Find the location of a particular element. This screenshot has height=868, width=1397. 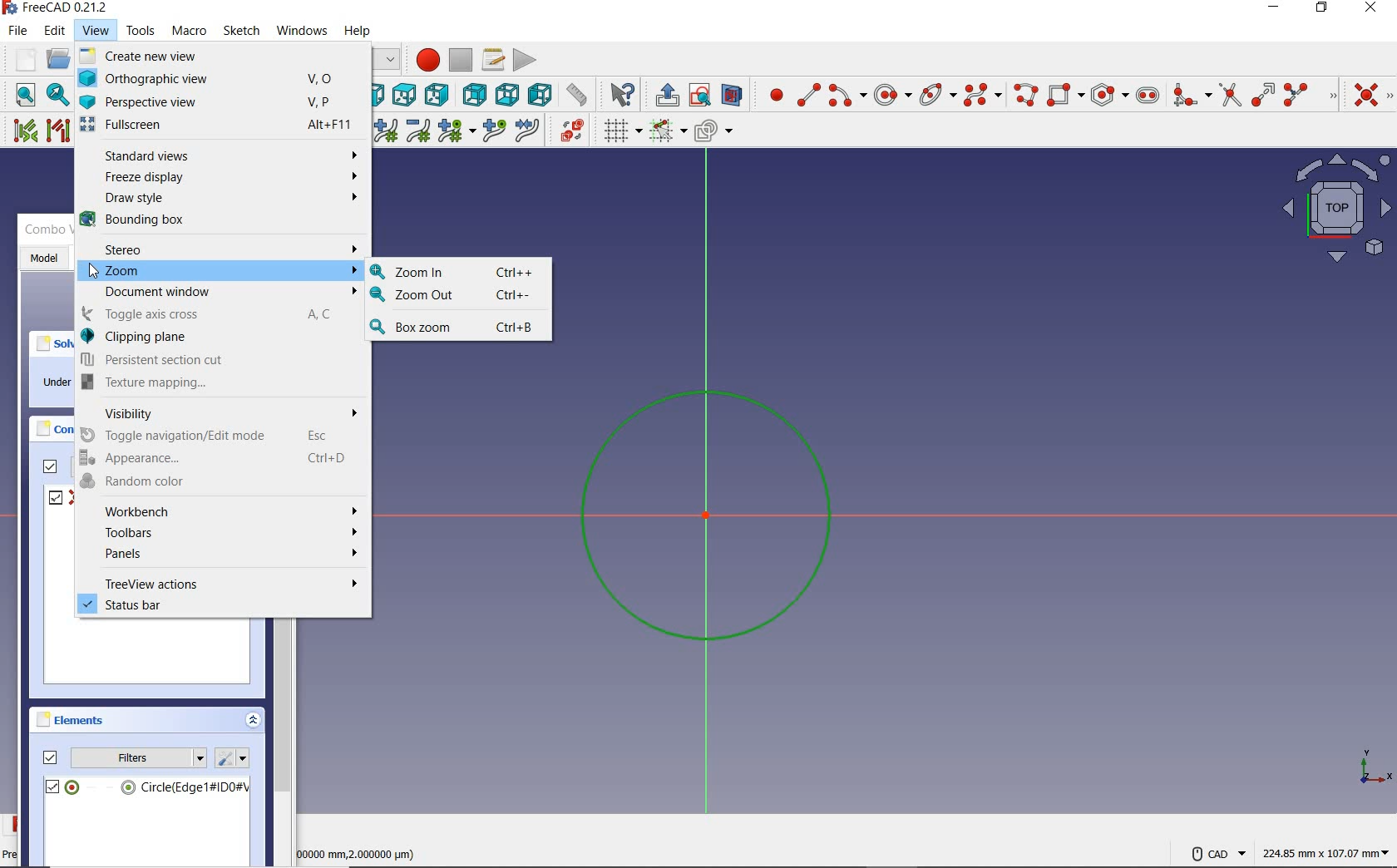

center & rim point is located at coordinates (893, 97).